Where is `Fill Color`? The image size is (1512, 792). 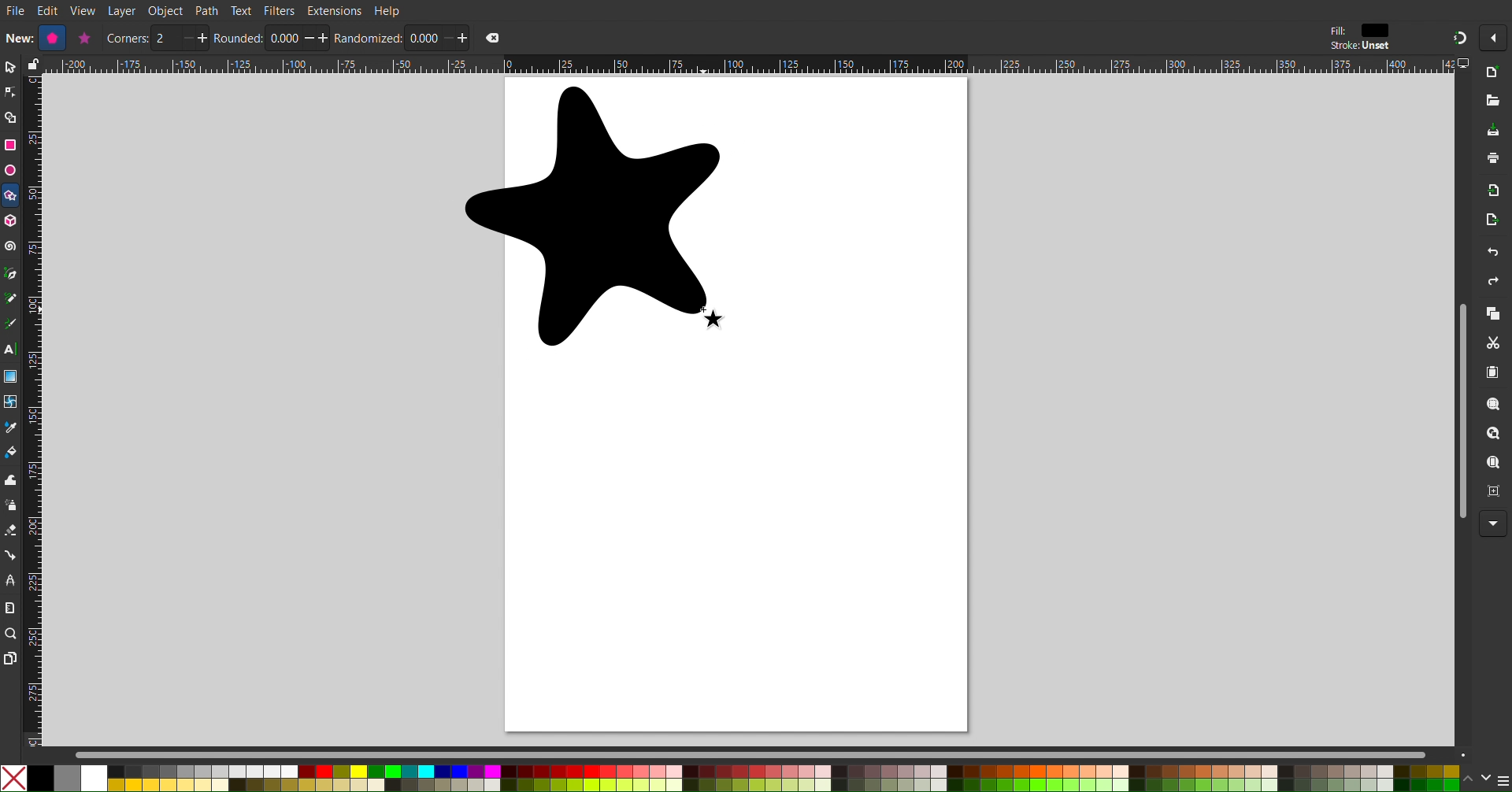 Fill Color is located at coordinates (11, 455).